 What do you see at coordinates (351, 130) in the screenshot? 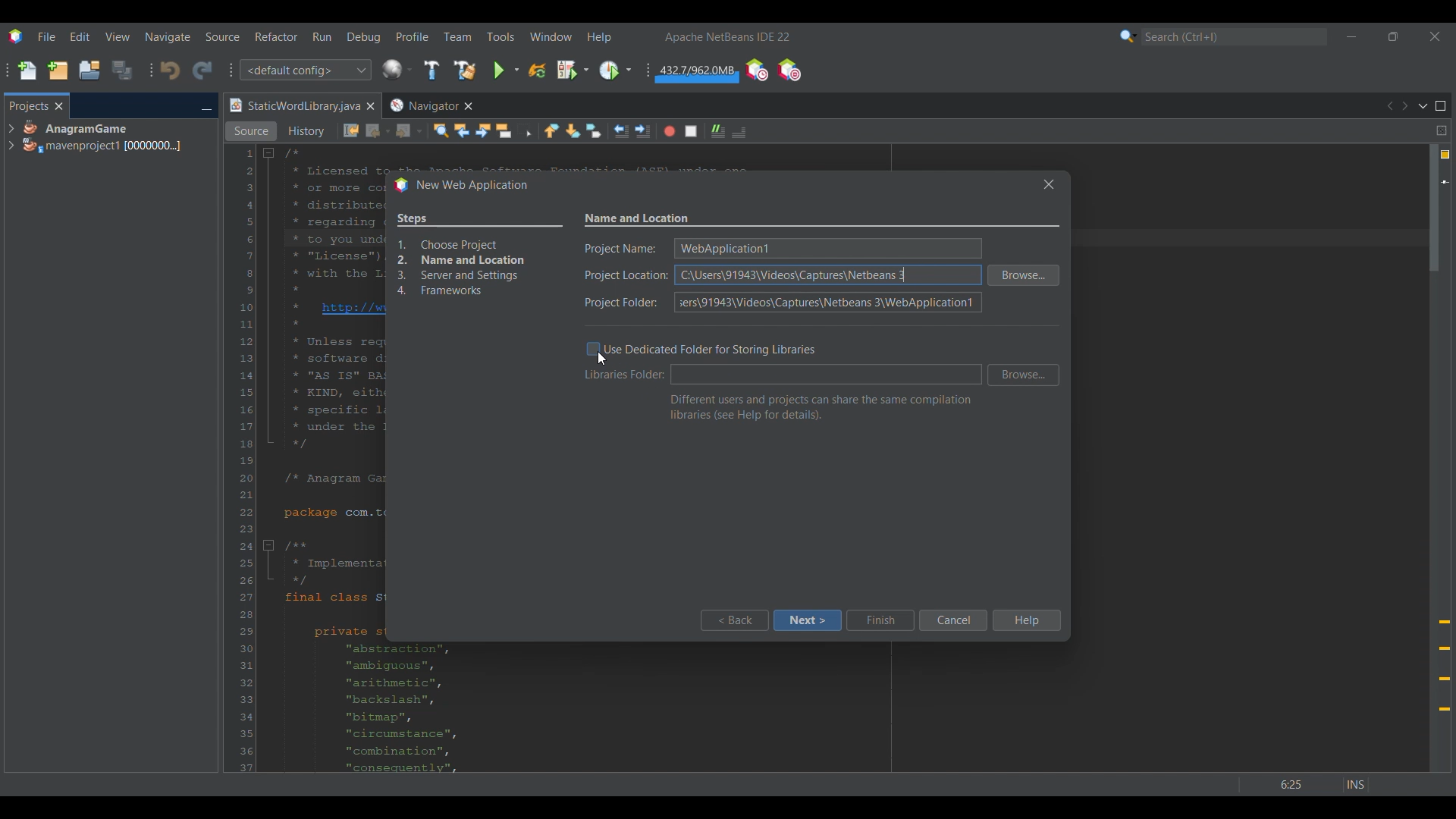
I see `Last edit` at bounding box center [351, 130].